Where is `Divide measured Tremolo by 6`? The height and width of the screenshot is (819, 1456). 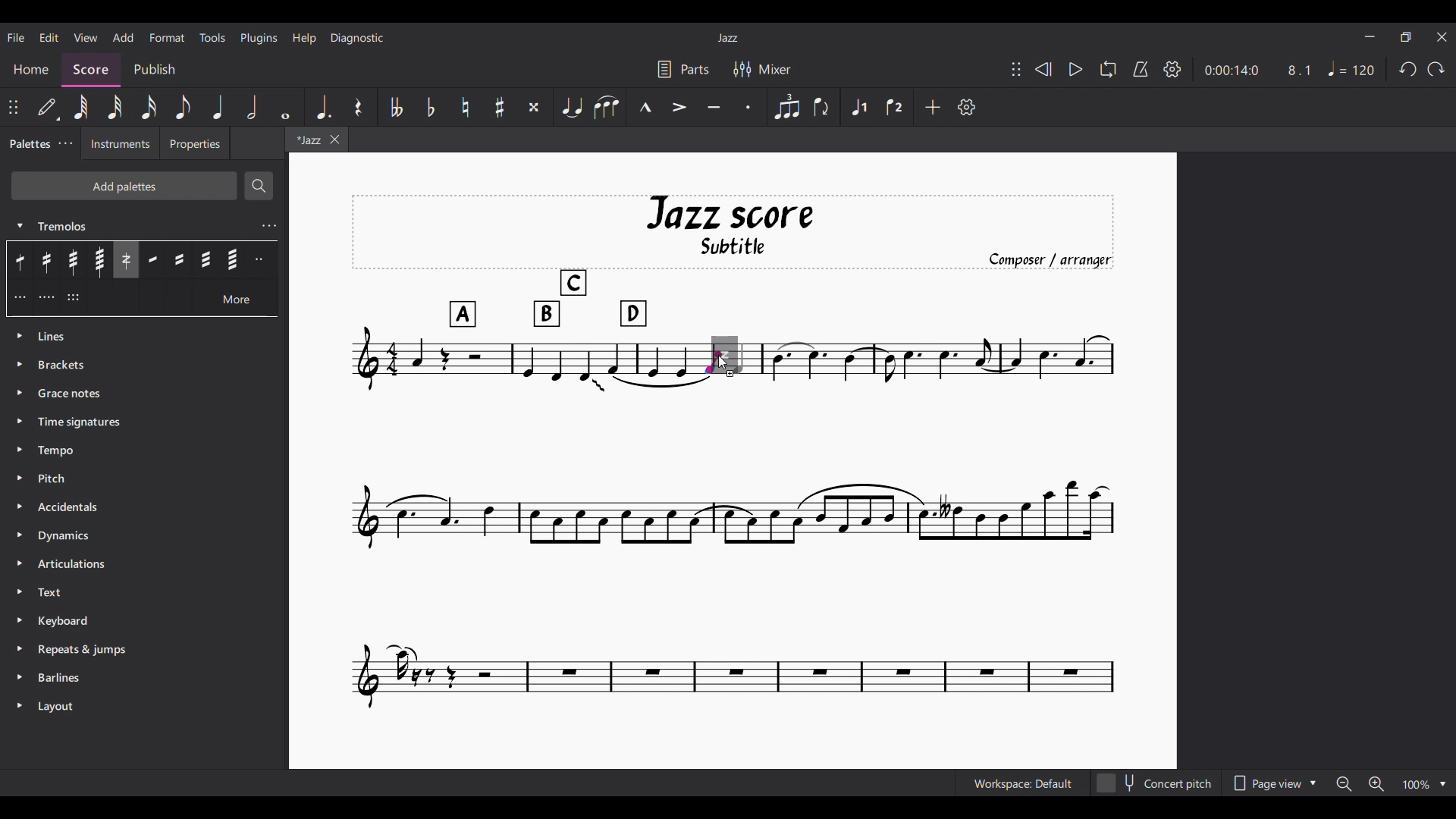
Divide measured Tremolo by 6 is located at coordinates (73, 297).